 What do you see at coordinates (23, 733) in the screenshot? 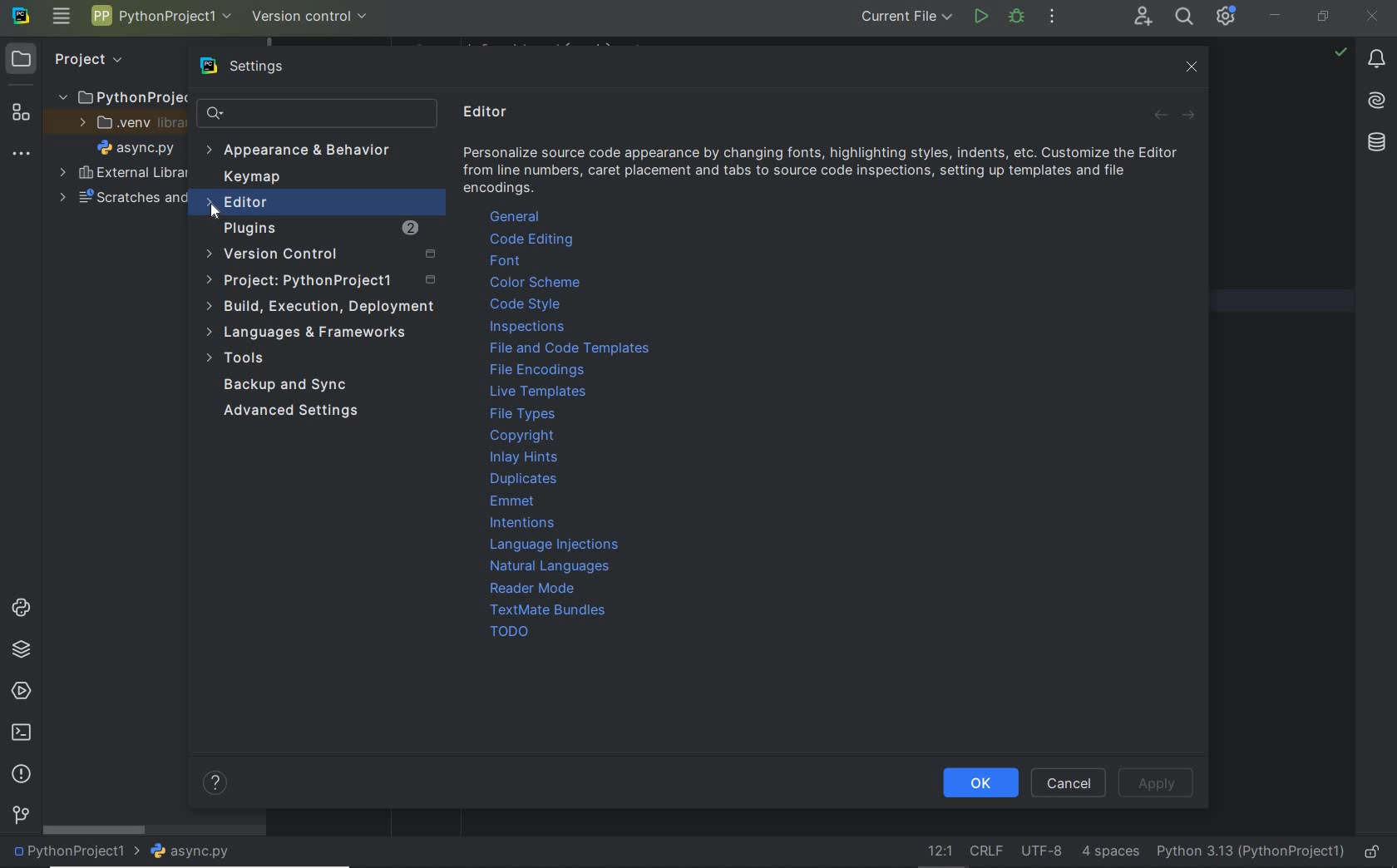
I see `terminal` at bounding box center [23, 733].